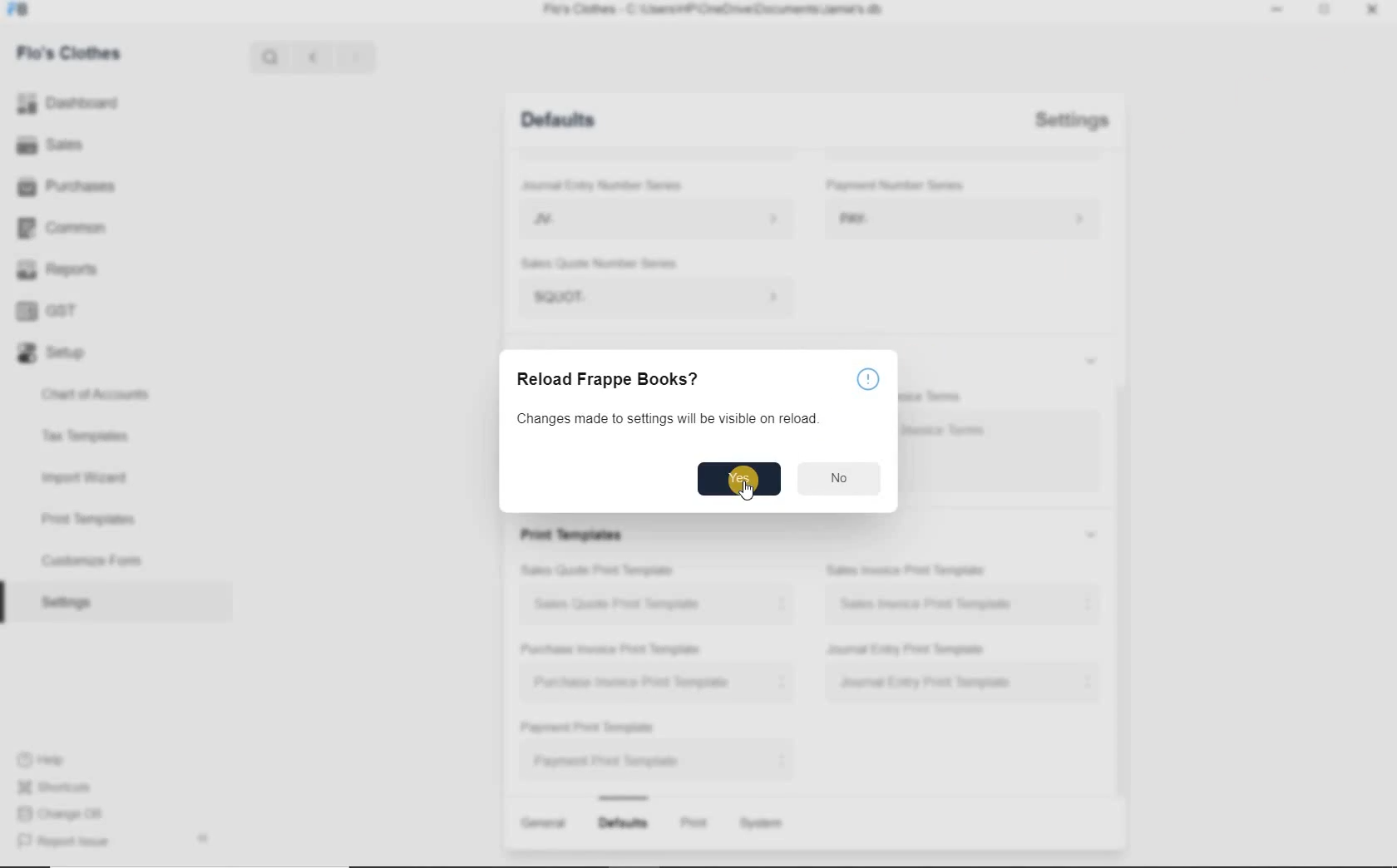  Describe the element at coordinates (610, 648) in the screenshot. I see `Purchase Invoice Print Template` at that location.